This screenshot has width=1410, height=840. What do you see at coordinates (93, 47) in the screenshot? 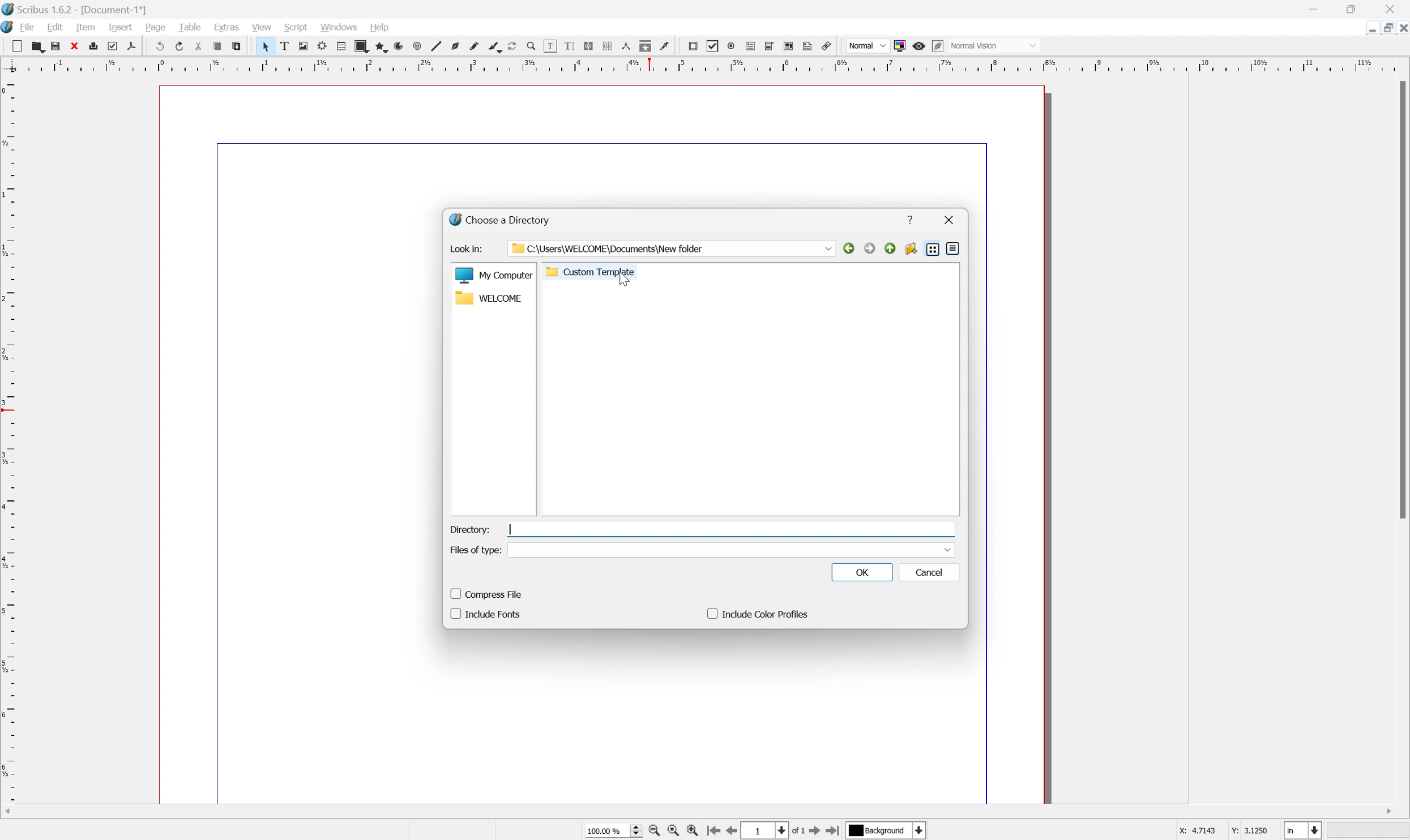
I see `print` at bounding box center [93, 47].